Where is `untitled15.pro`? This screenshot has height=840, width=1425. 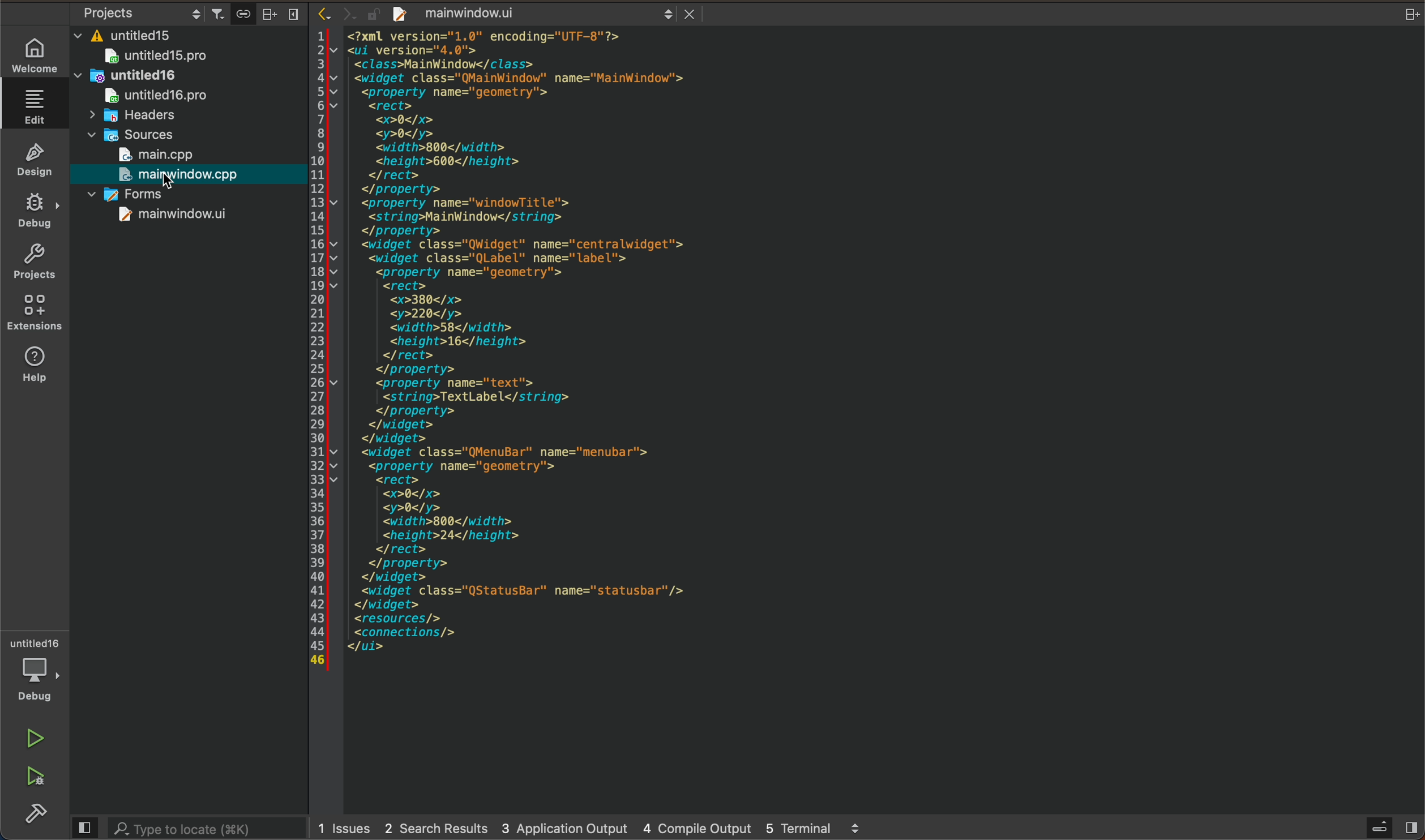 untitled15.pro is located at coordinates (173, 57).